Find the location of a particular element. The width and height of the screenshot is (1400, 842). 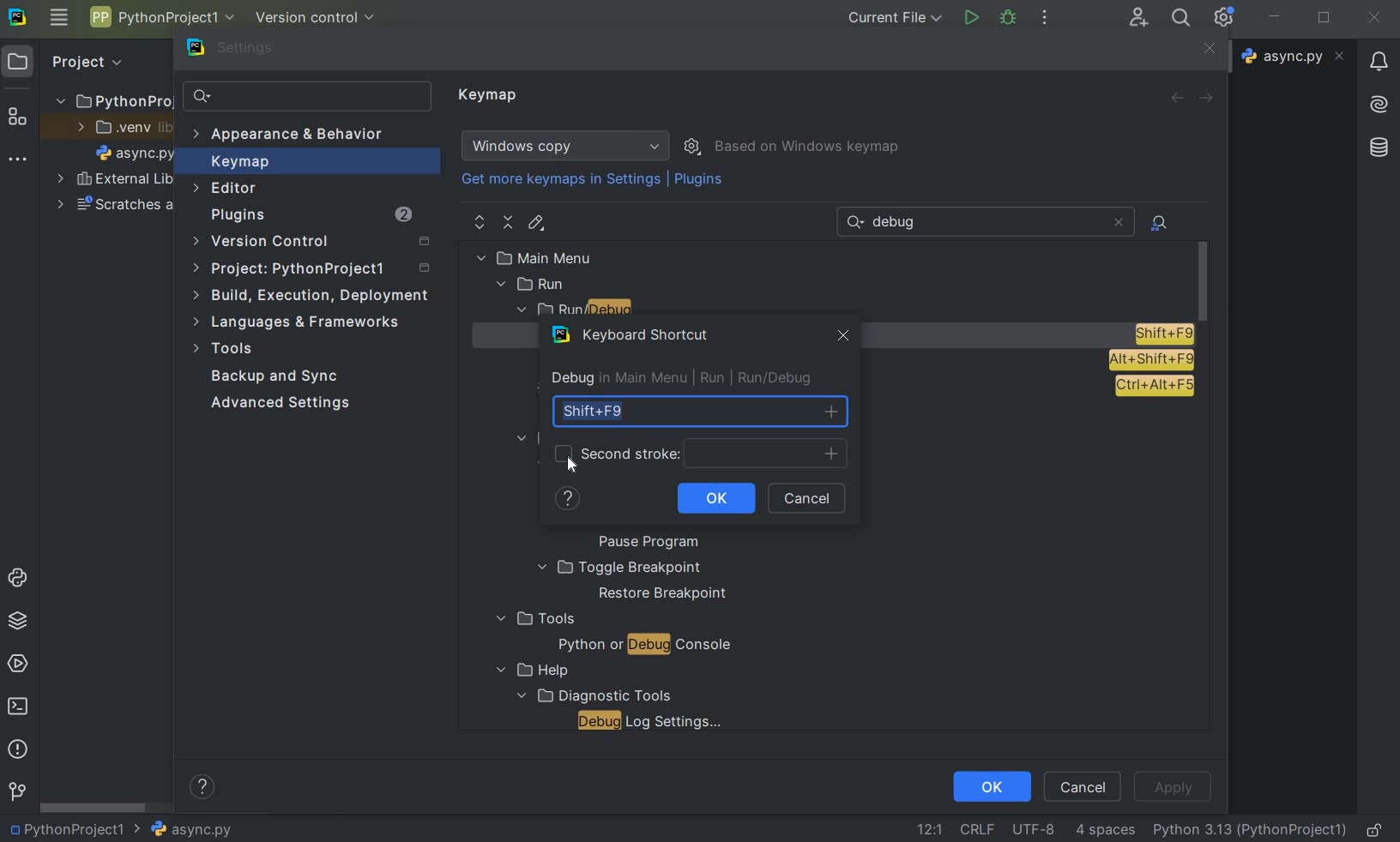

Languages and Frameworks is located at coordinates (302, 322).